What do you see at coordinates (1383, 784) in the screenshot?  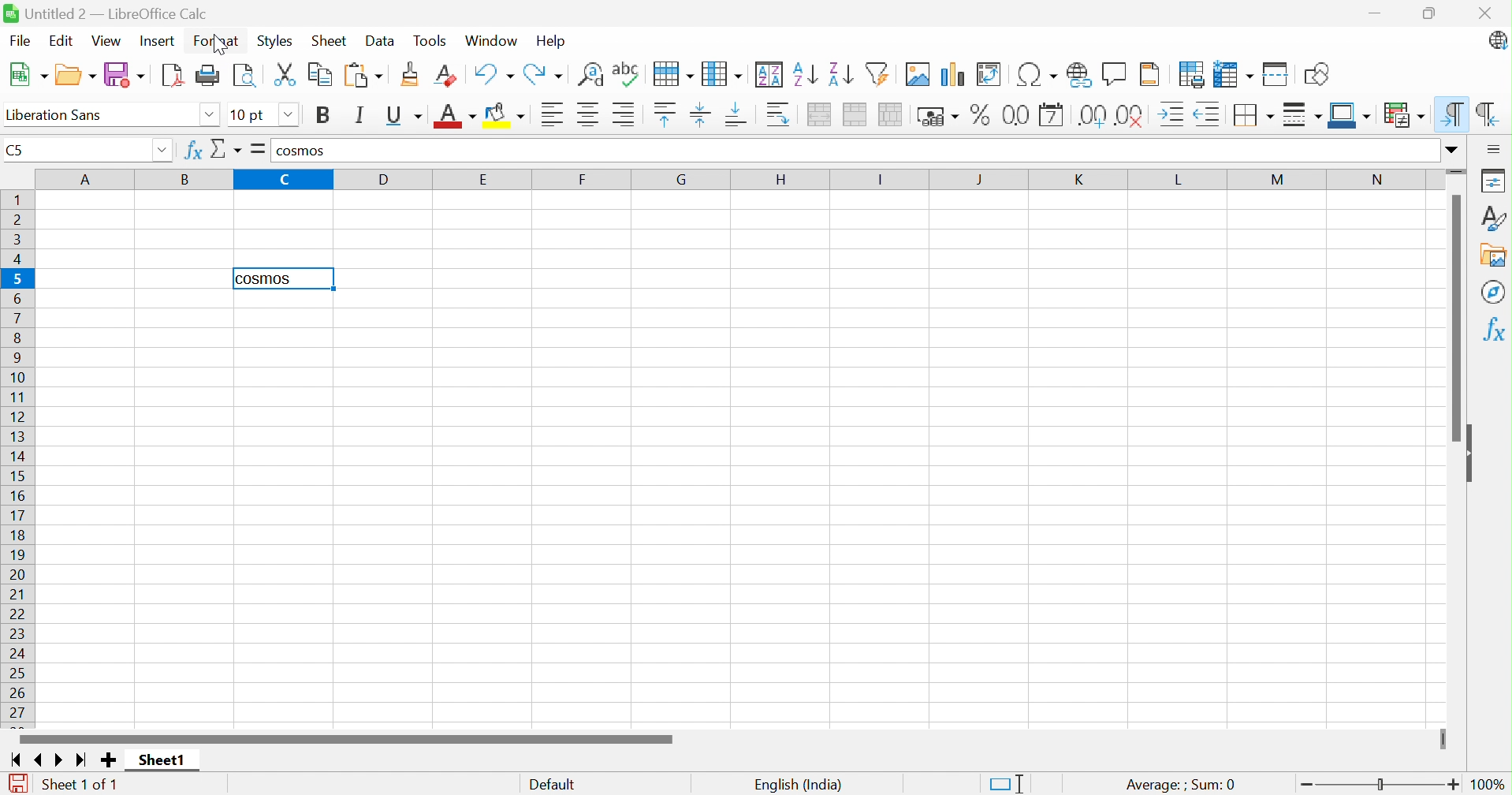 I see `Slider` at bounding box center [1383, 784].